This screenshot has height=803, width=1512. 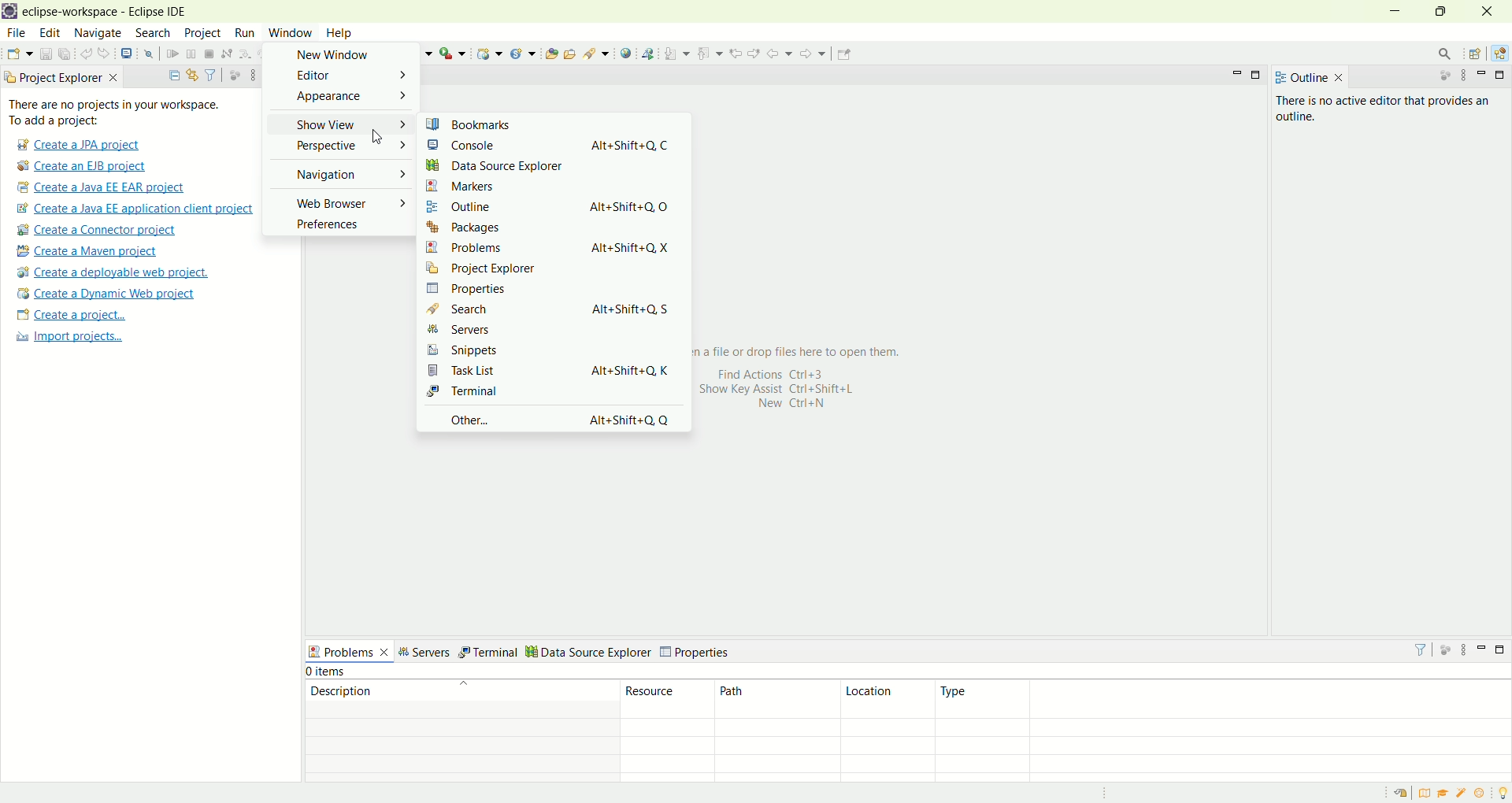 What do you see at coordinates (347, 650) in the screenshot?
I see `problems` at bounding box center [347, 650].